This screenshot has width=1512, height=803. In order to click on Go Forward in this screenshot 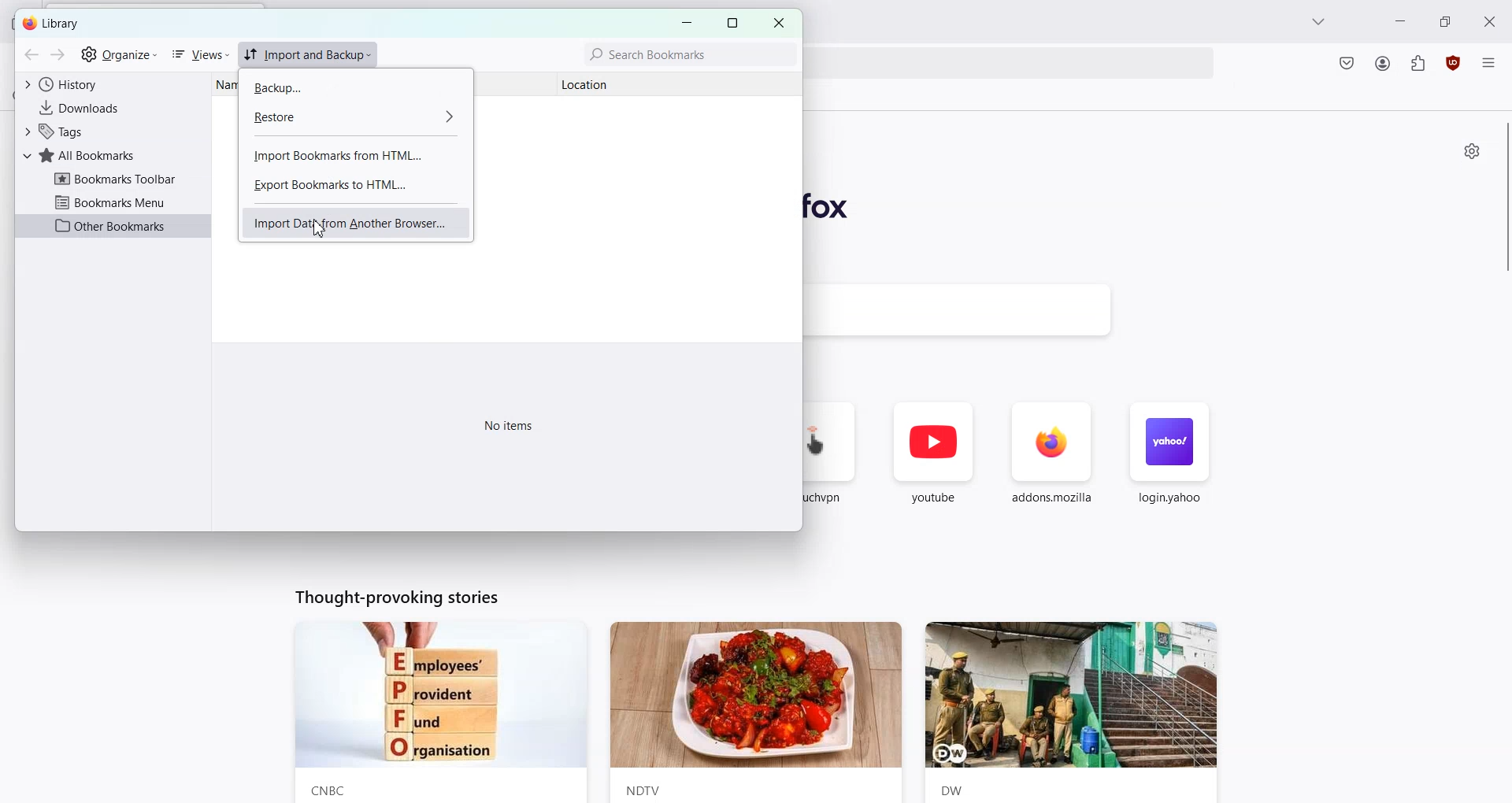, I will do `click(57, 55)`.